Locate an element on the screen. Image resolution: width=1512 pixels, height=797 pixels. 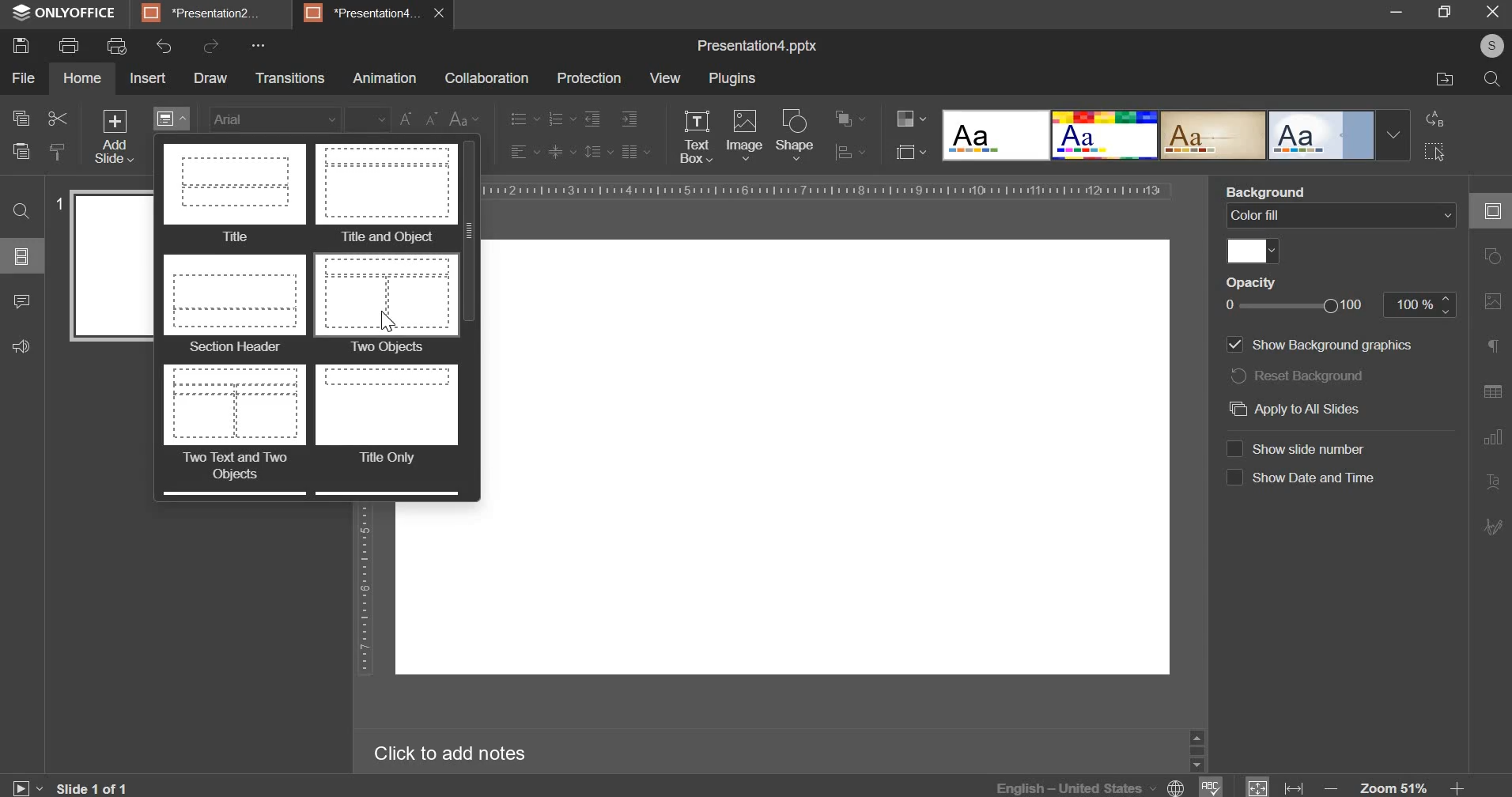
view is located at coordinates (667, 77).